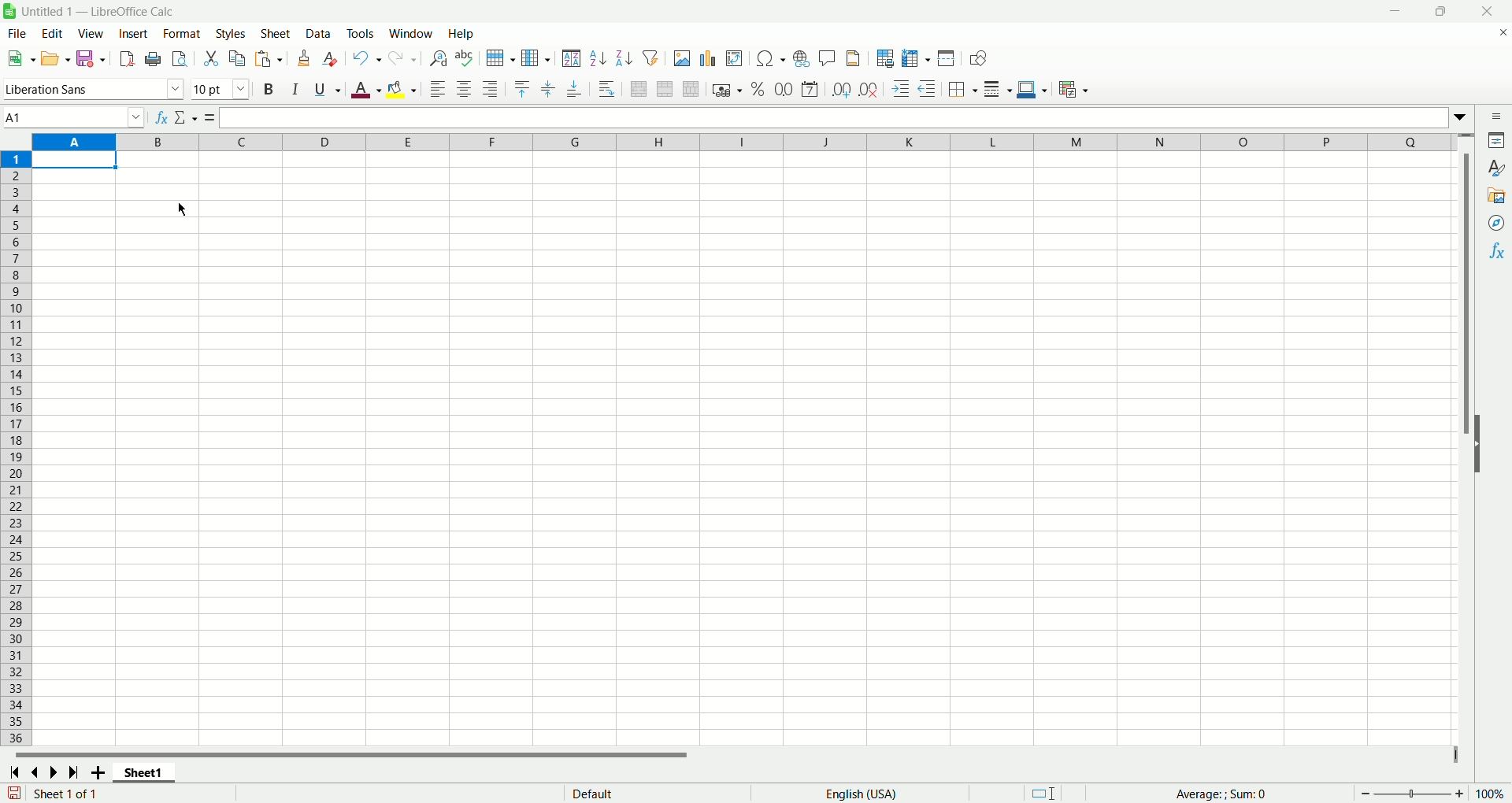 Image resolution: width=1512 pixels, height=803 pixels. Describe the element at coordinates (210, 57) in the screenshot. I see `cut` at that location.